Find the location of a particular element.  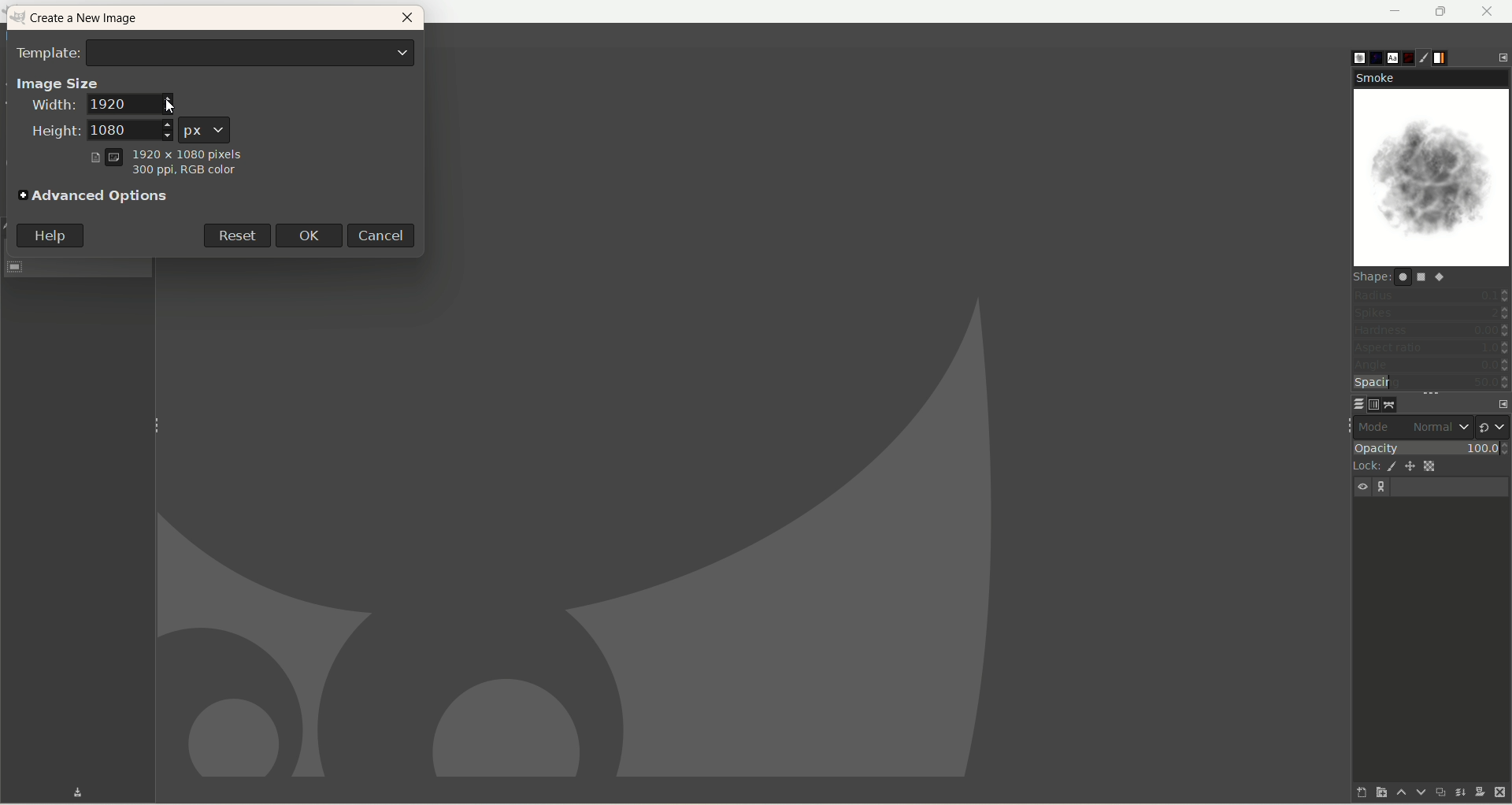

lock position and size is located at coordinates (1411, 469).